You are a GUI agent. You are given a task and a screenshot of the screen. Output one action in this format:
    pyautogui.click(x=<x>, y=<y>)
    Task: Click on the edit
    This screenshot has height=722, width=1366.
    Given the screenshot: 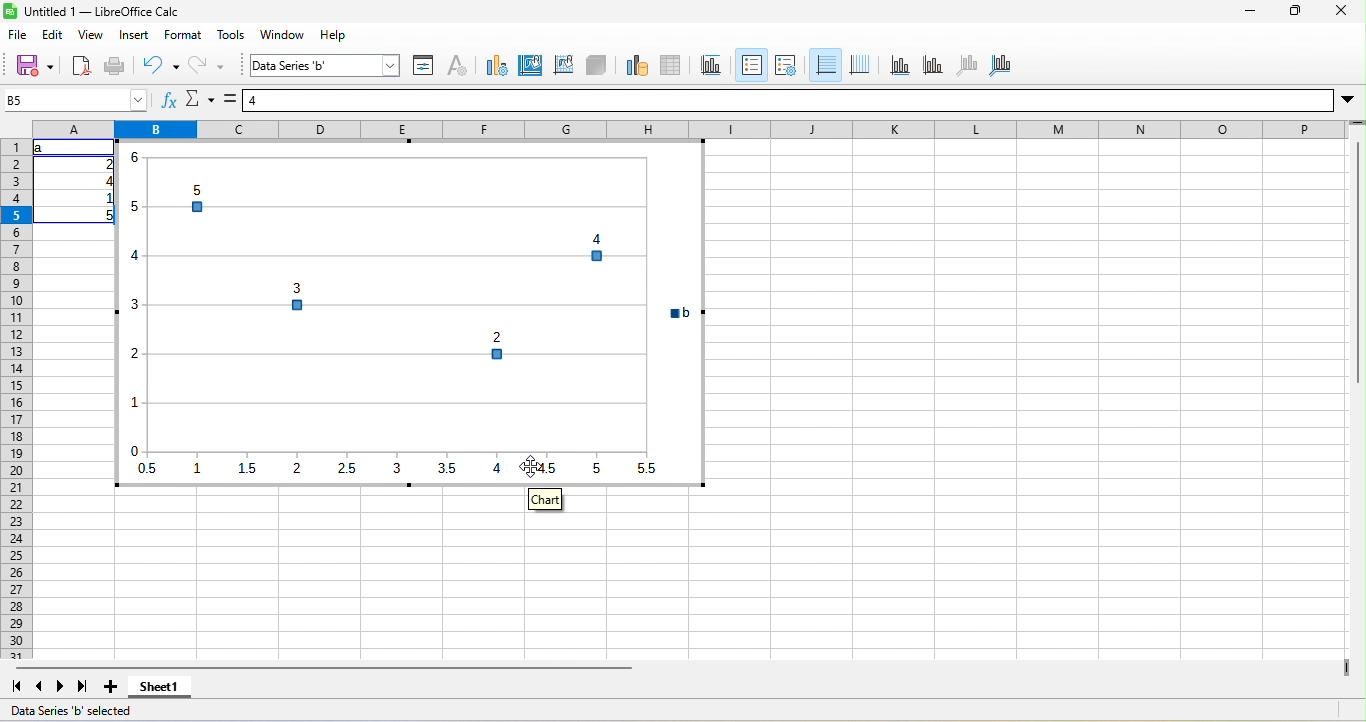 What is the action you would take?
    pyautogui.click(x=53, y=35)
    